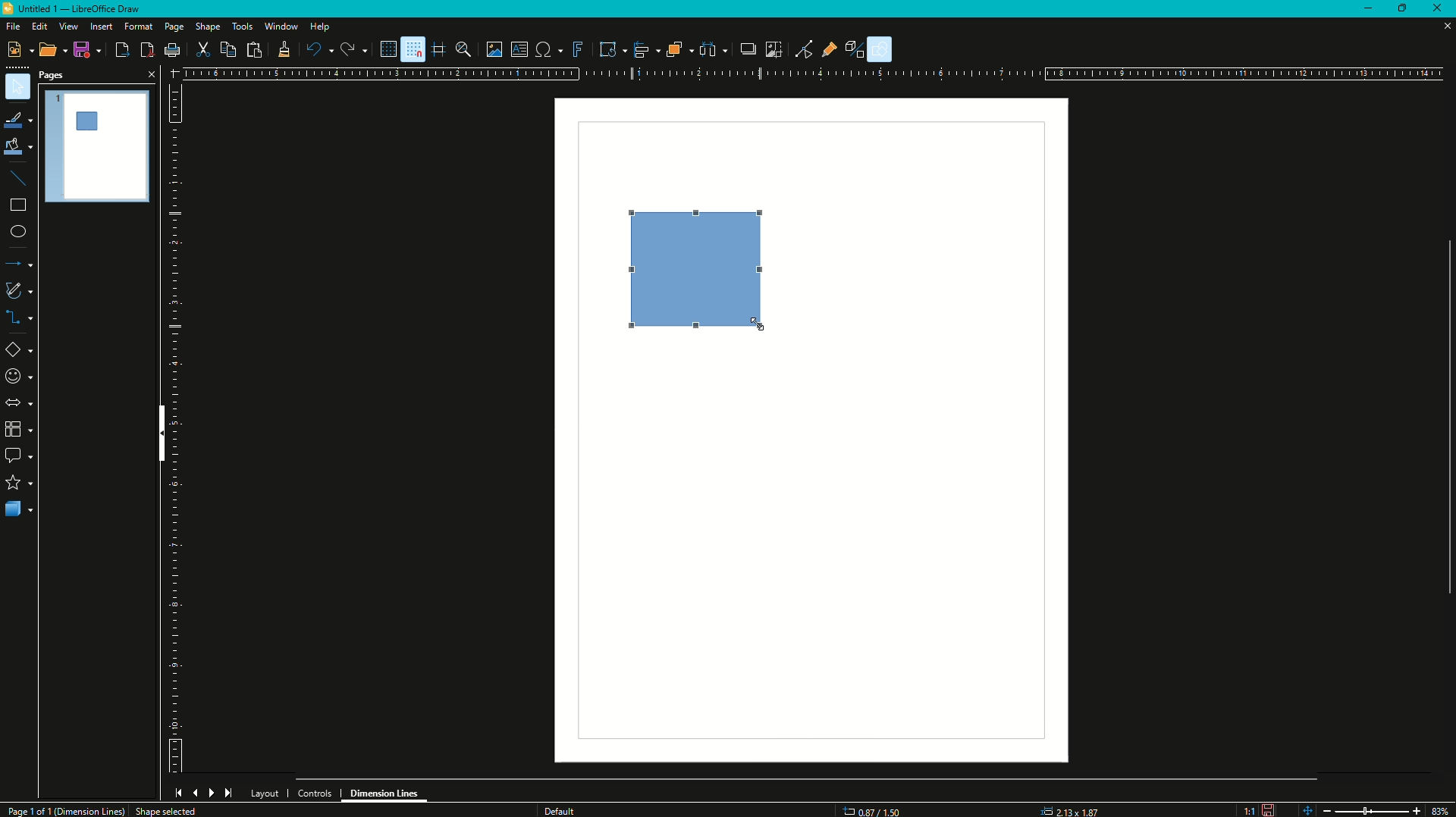 Image resolution: width=1456 pixels, height=817 pixels. I want to click on Paste, so click(253, 49).